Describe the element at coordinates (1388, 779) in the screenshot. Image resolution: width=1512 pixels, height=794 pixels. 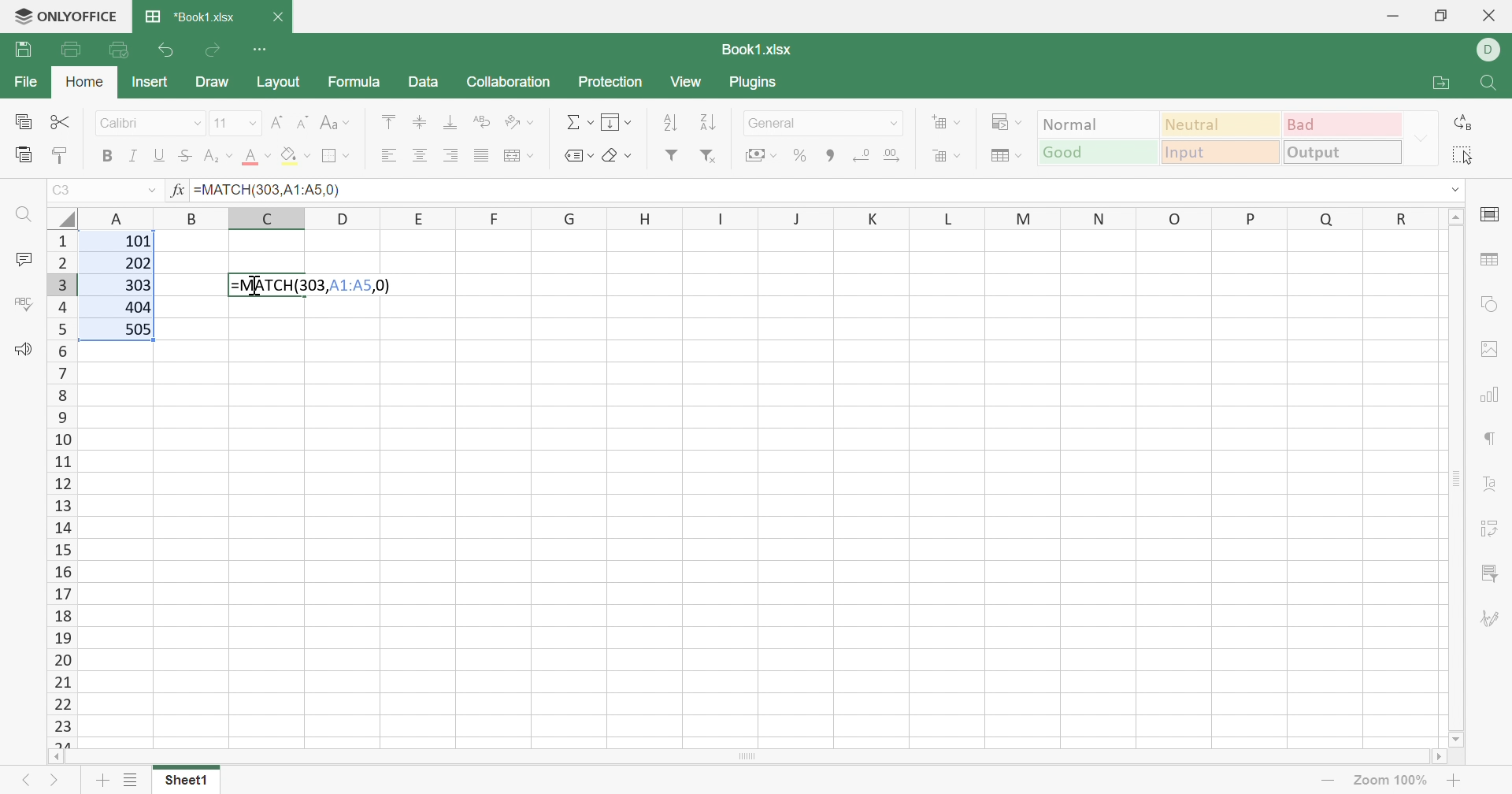
I see `Zoom 100%` at that location.